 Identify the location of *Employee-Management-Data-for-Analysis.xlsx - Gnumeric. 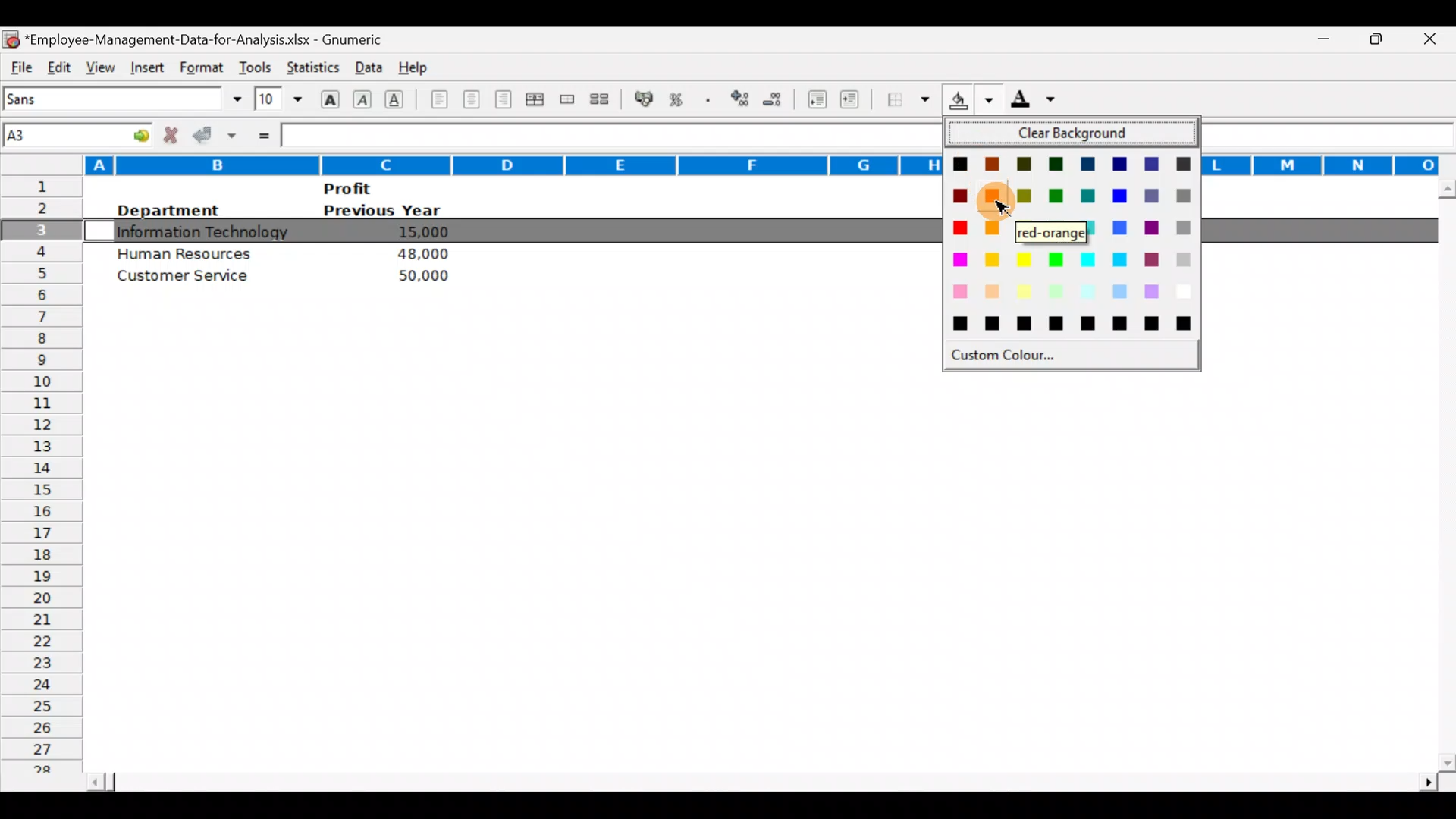
(213, 37).